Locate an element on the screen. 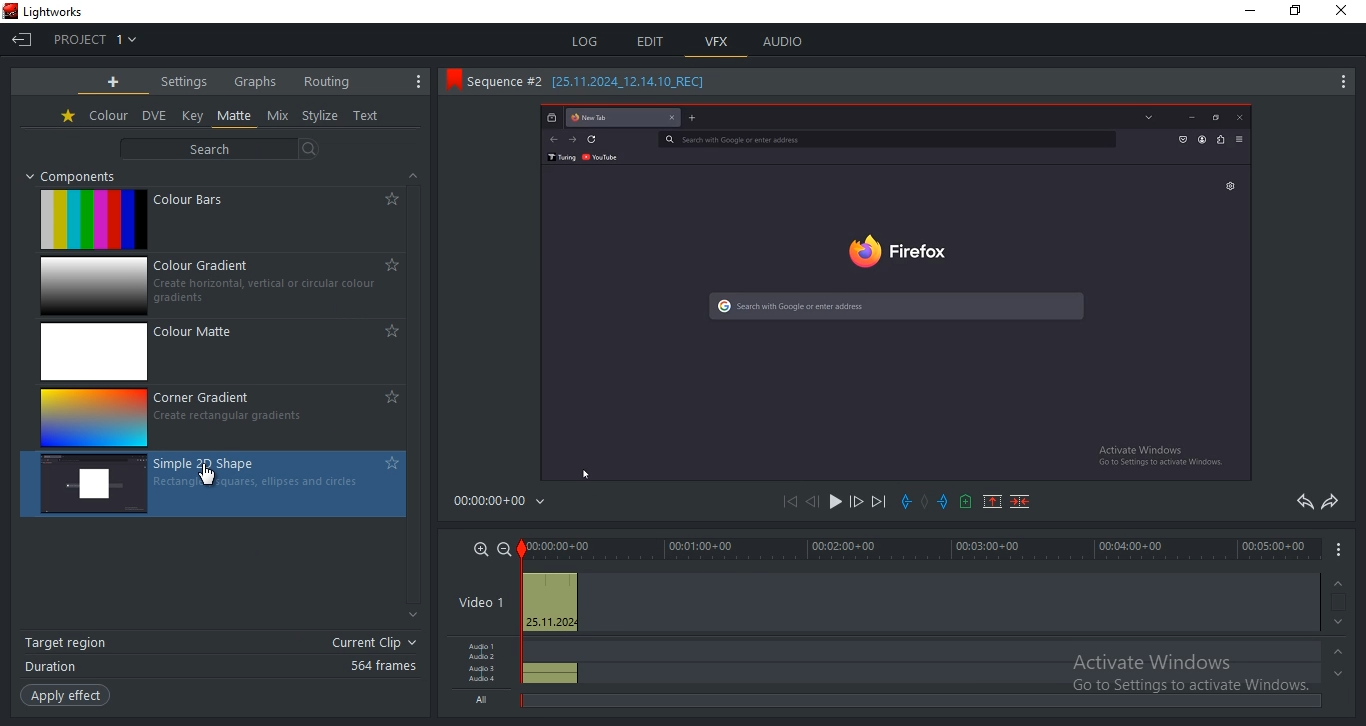 The height and width of the screenshot is (726, 1366). add an in mark is located at coordinates (907, 502).